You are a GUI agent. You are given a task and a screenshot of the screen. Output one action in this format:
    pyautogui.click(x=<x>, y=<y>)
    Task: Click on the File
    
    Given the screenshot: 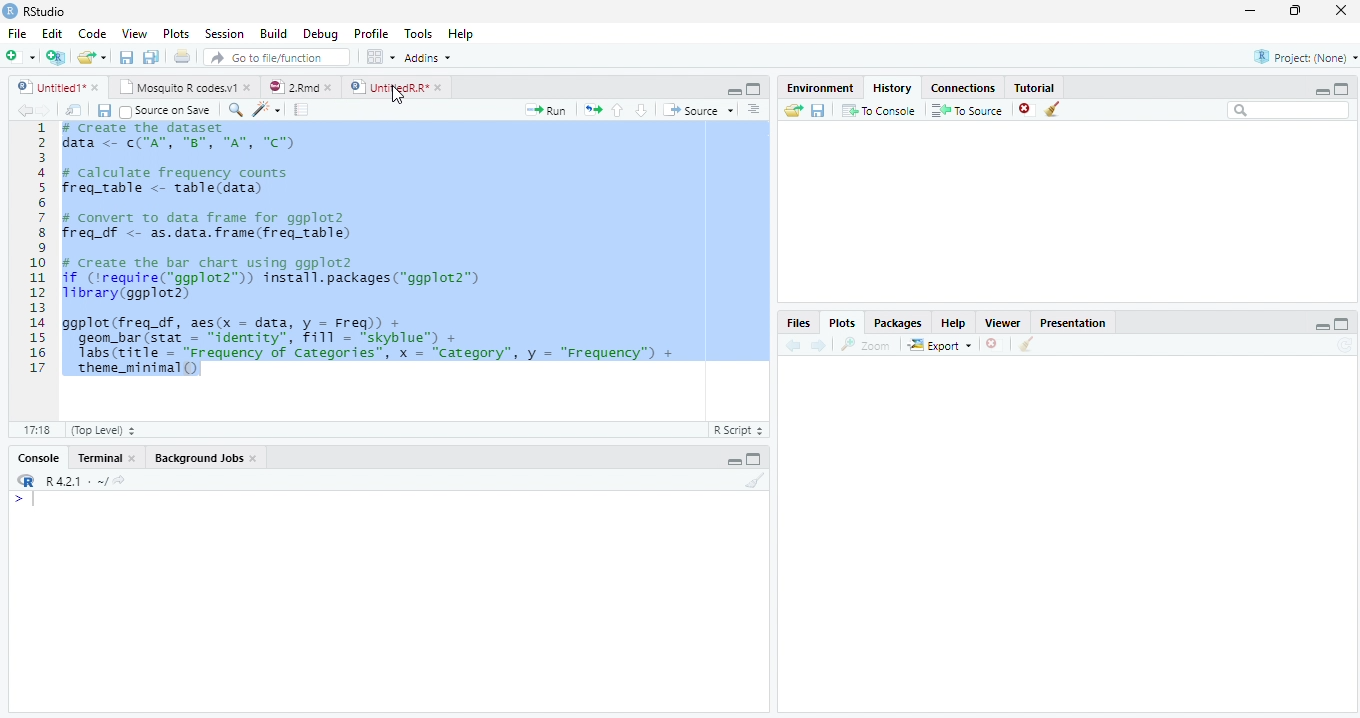 What is the action you would take?
    pyautogui.click(x=14, y=34)
    